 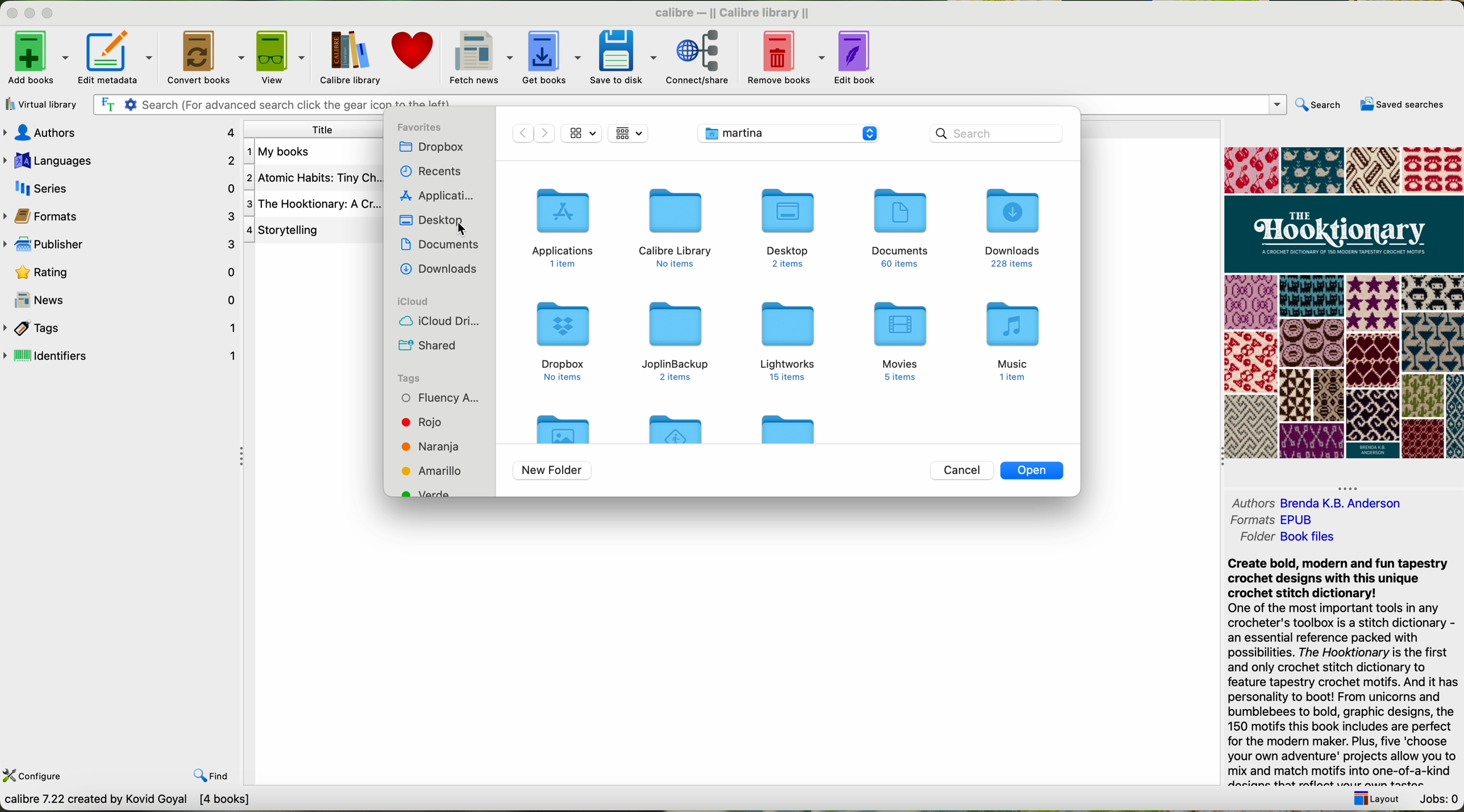 What do you see at coordinates (117, 327) in the screenshot?
I see `tags` at bounding box center [117, 327].